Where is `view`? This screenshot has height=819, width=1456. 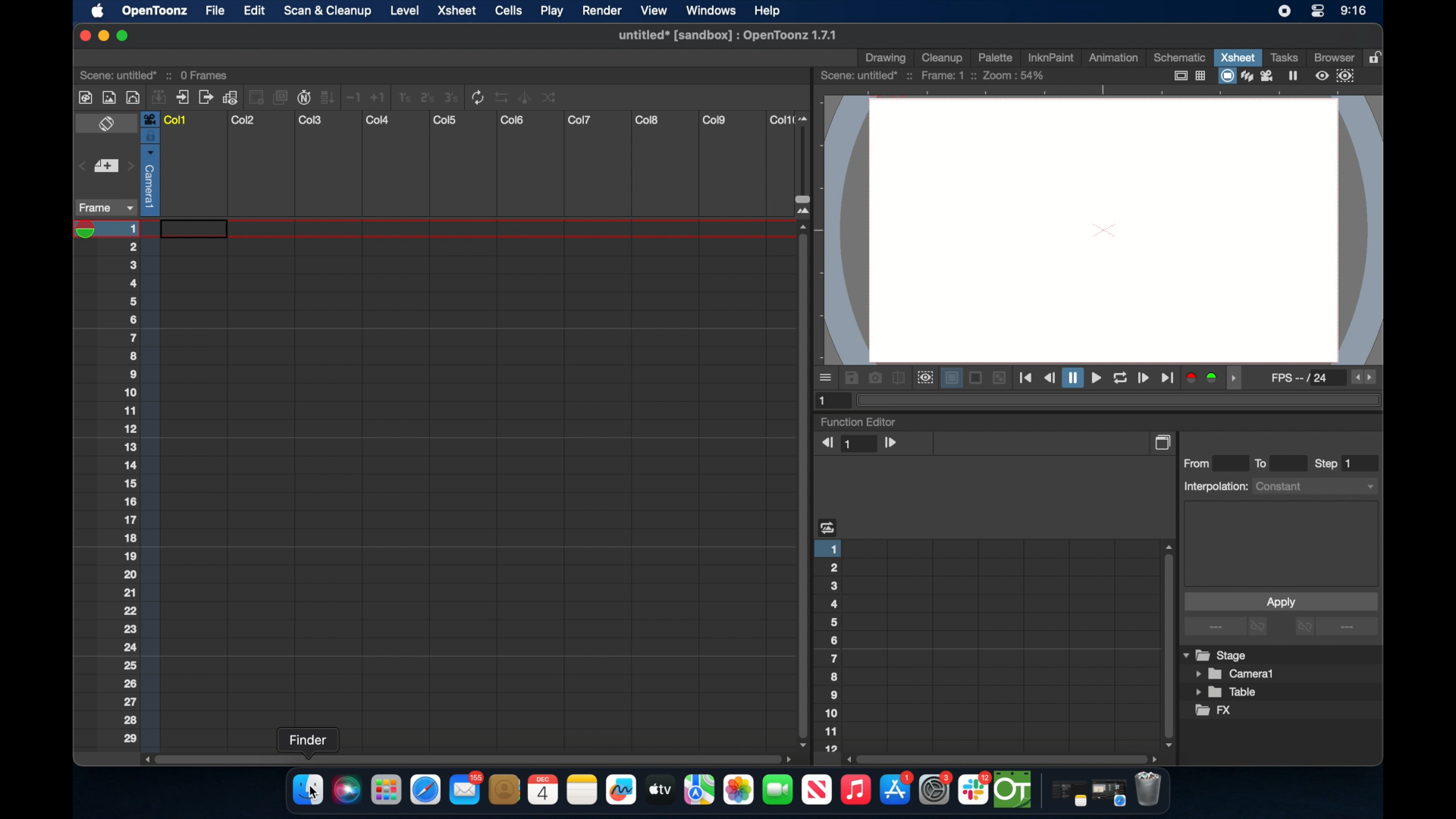
view is located at coordinates (651, 11).